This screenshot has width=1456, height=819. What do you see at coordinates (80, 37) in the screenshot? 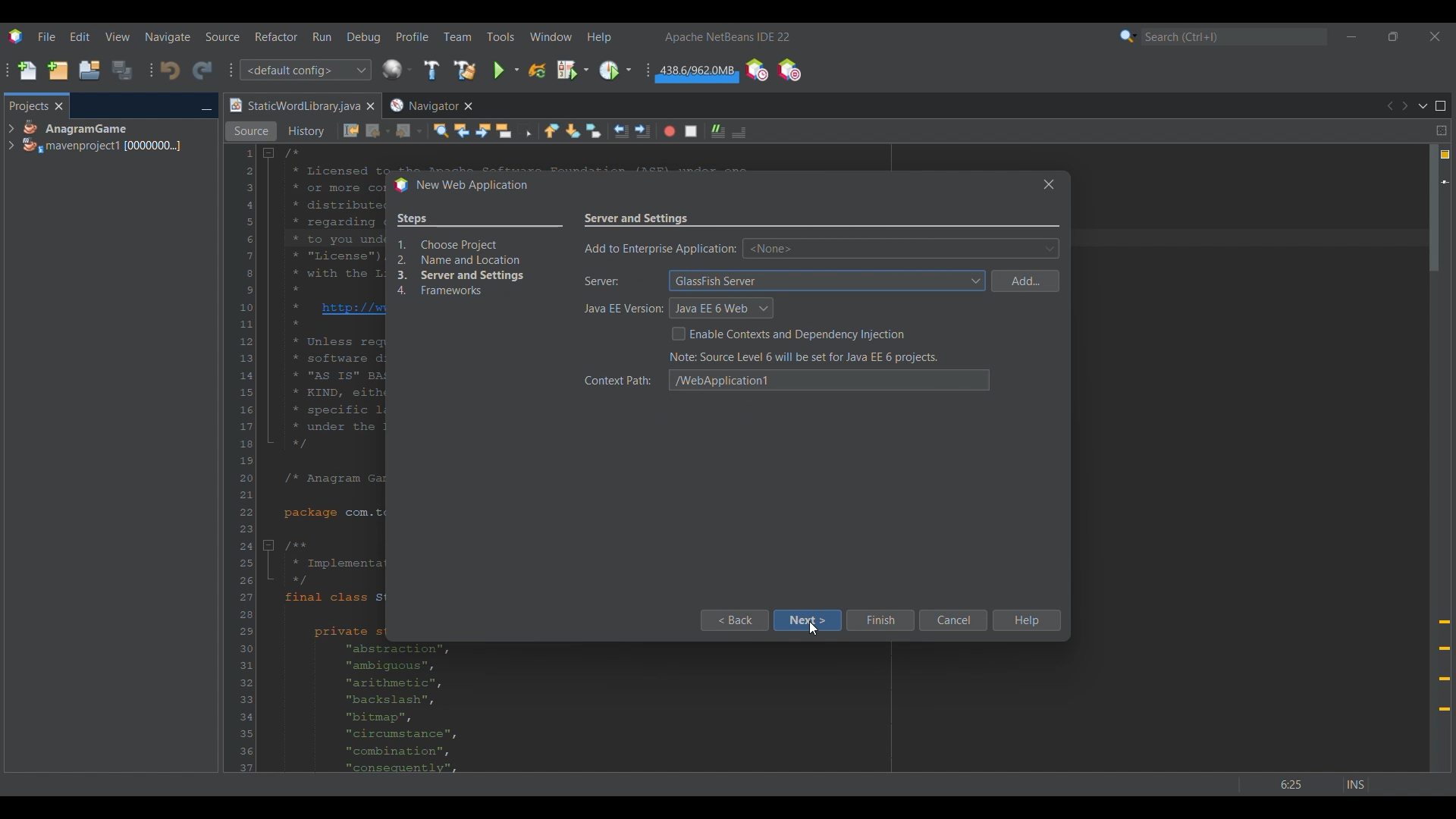
I see `Edit menu` at bounding box center [80, 37].